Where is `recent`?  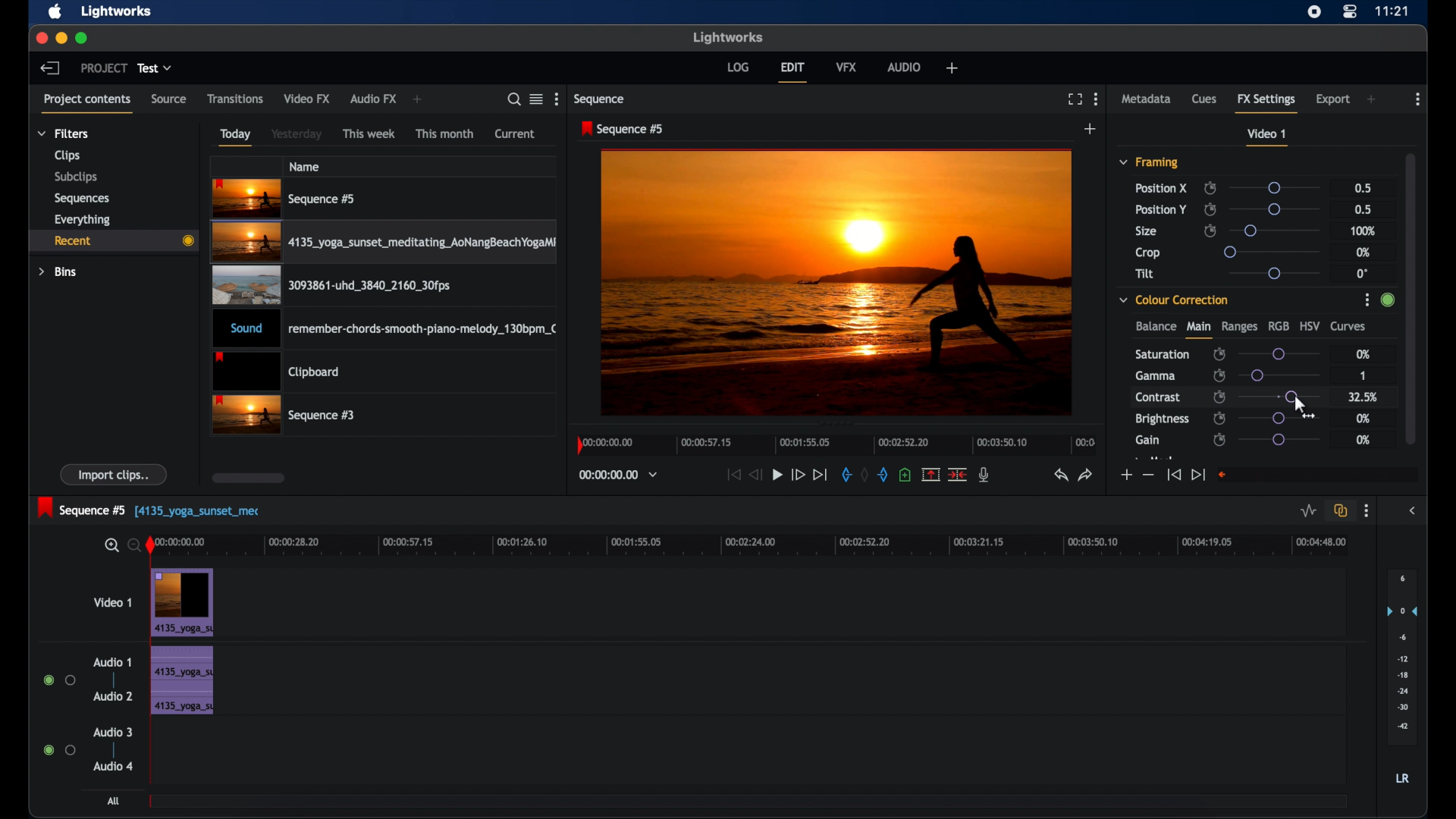 recent is located at coordinates (112, 241).